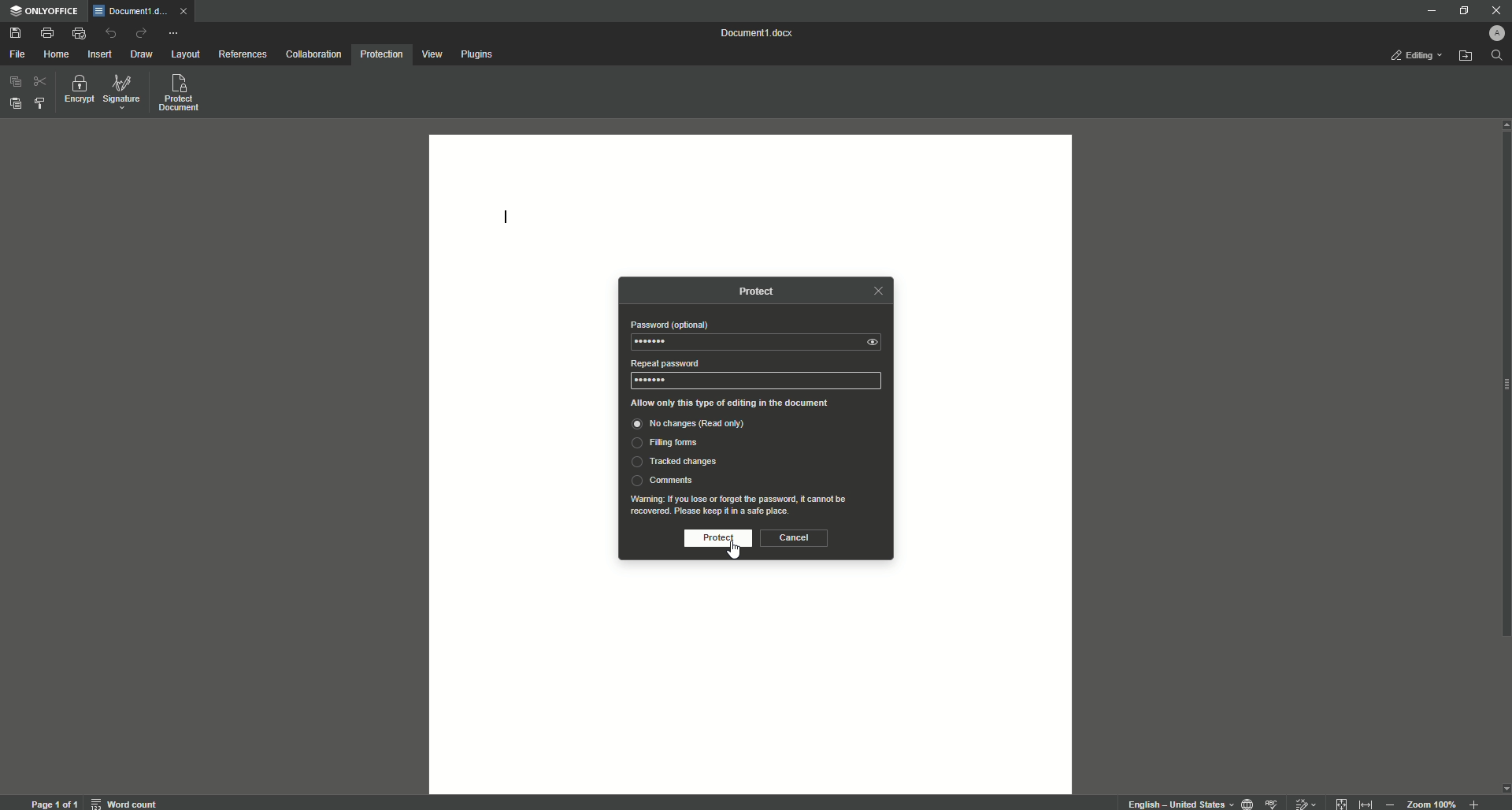 This screenshot has width=1512, height=810. I want to click on View, so click(432, 54).